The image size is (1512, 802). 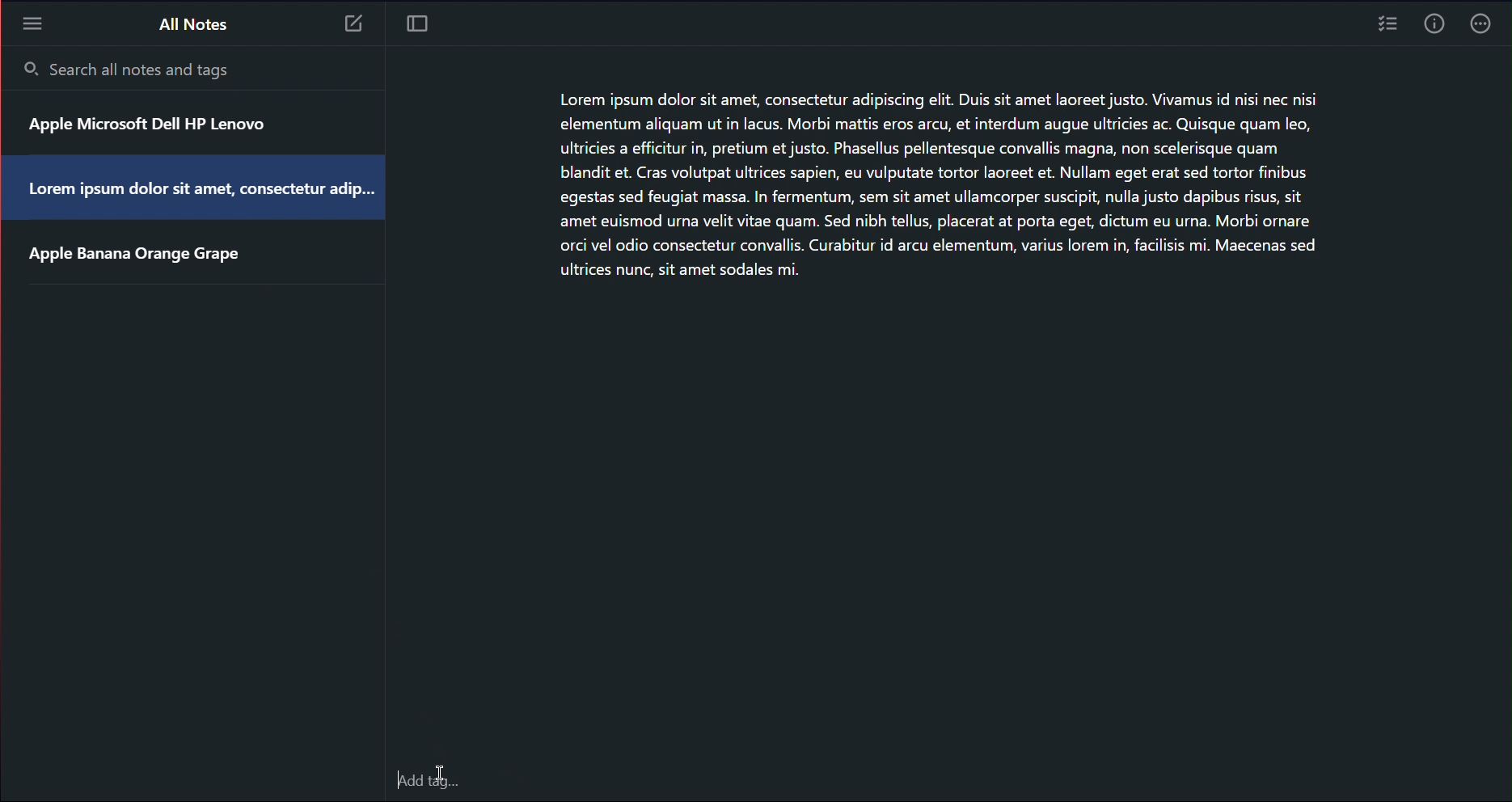 What do you see at coordinates (130, 70) in the screenshot?
I see `Search all notes and tags` at bounding box center [130, 70].